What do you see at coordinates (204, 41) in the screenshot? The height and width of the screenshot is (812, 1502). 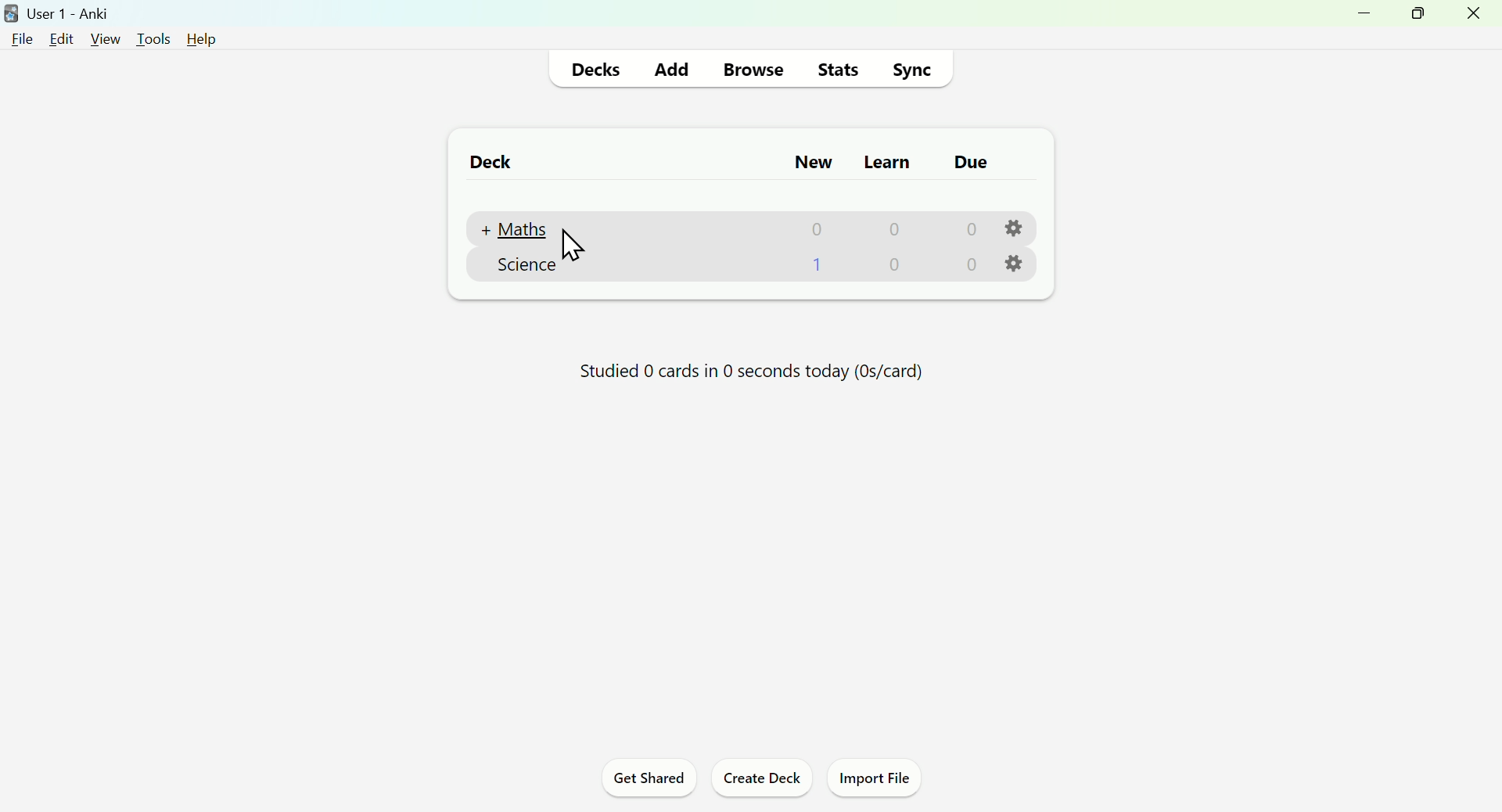 I see `help` at bounding box center [204, 41].